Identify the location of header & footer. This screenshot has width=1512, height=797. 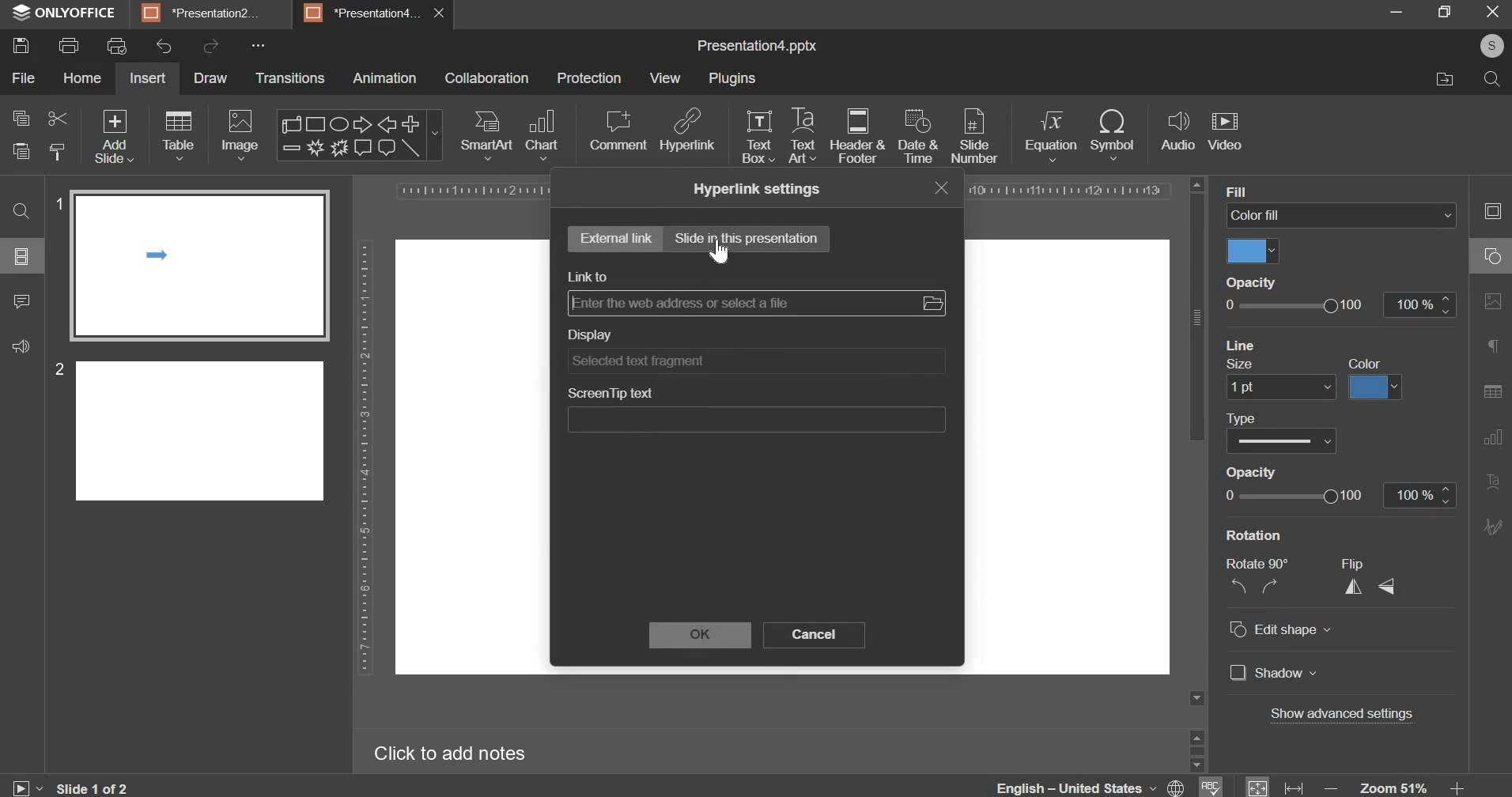
(857, 137).